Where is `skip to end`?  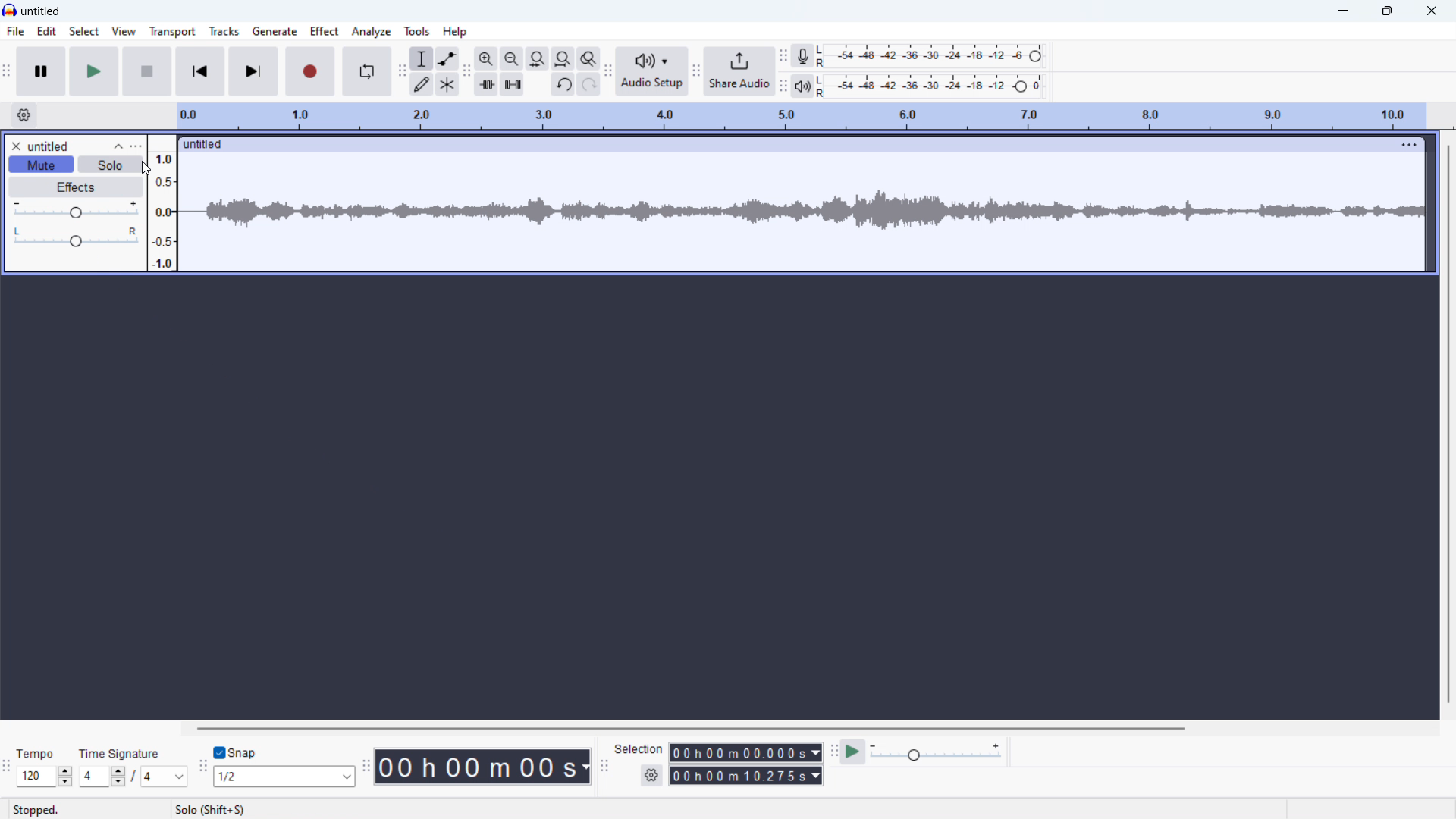 skip to end is located at coordinates (253, 71).